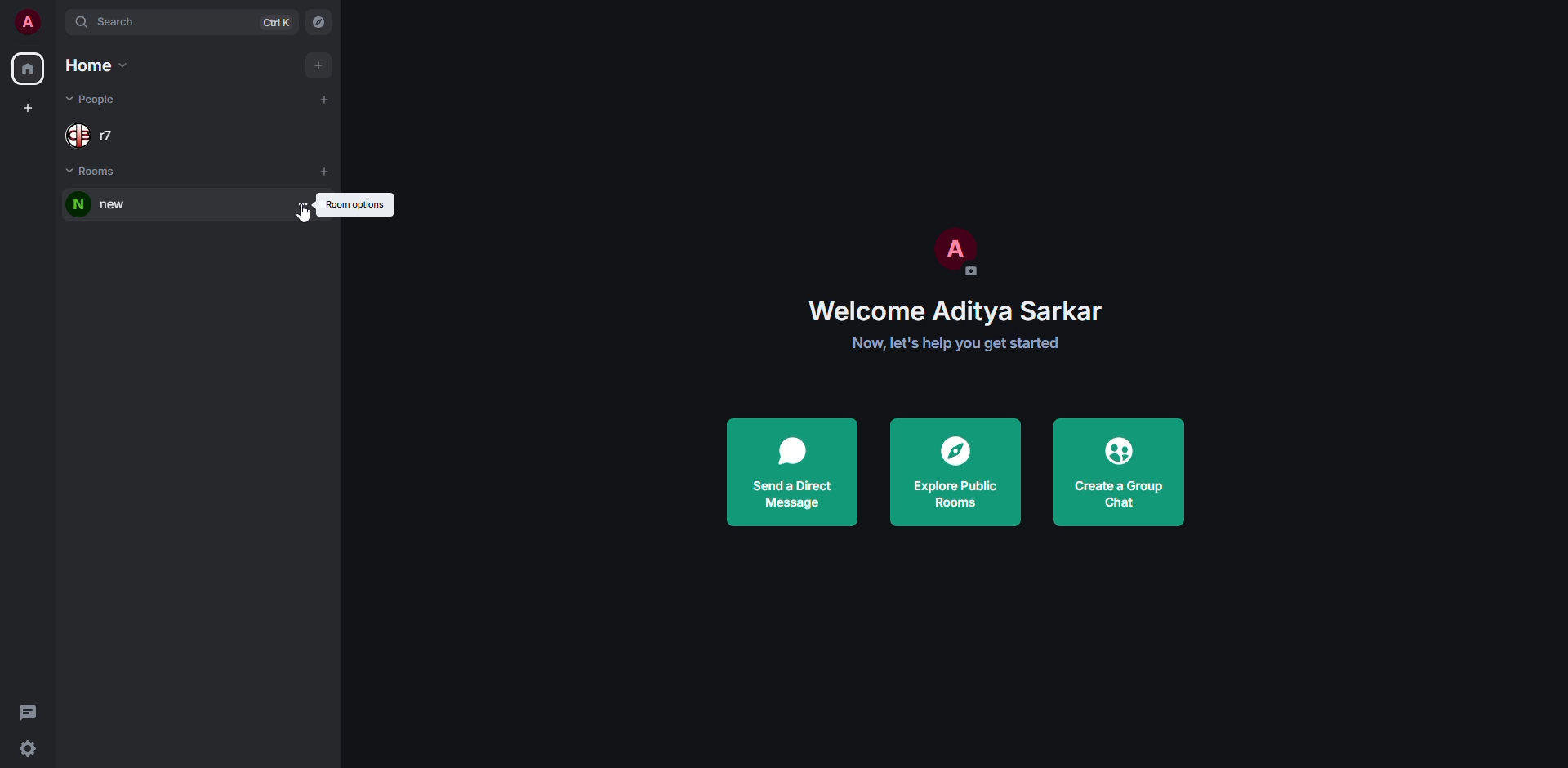 Image resolution: width=1568 pixels, height=768 pixels. I want to click on profile, so click(953, 248).